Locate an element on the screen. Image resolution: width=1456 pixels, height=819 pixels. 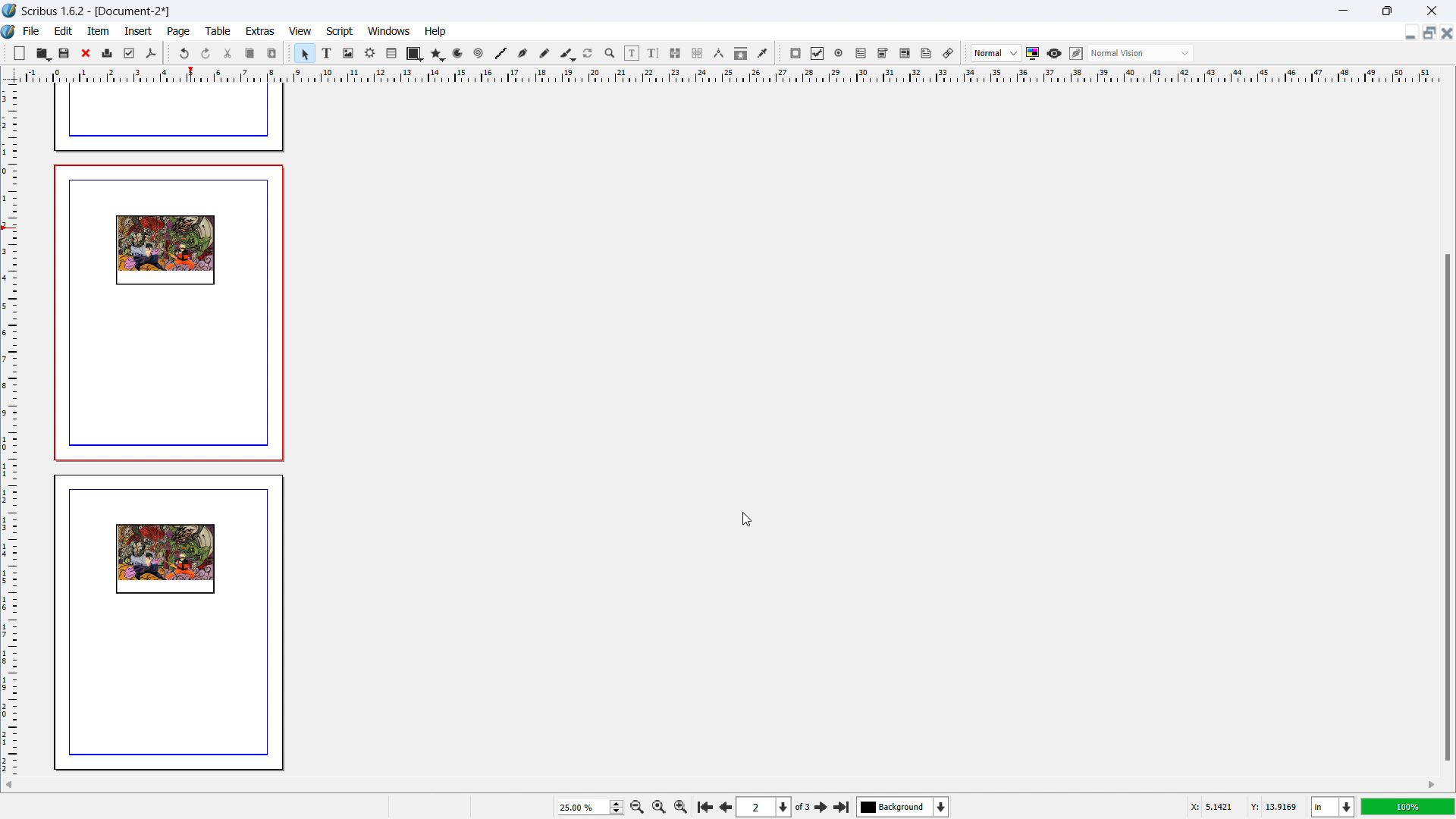
image frame is located at coordinates (348, 53).